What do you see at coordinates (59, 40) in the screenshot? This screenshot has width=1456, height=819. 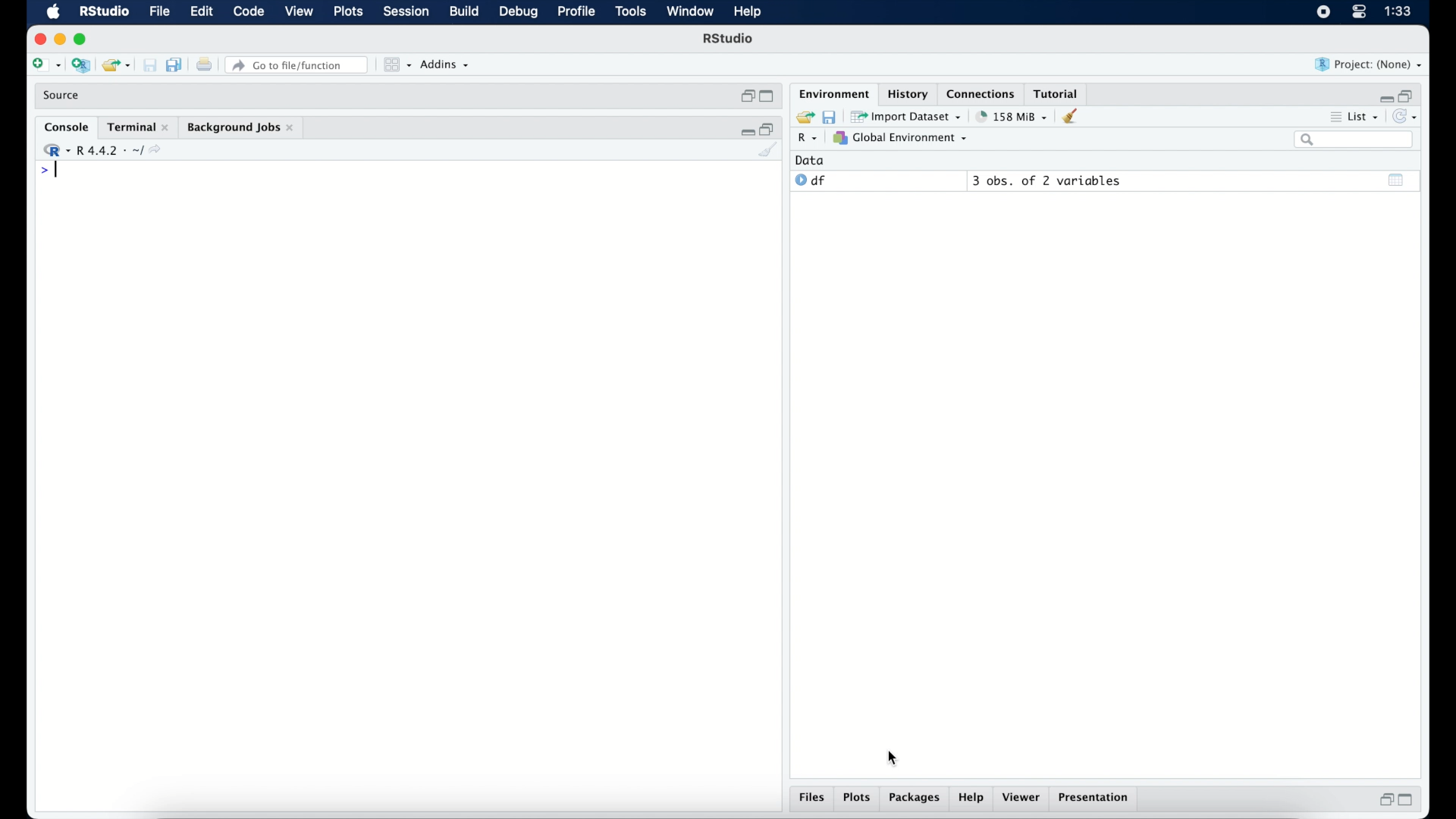 I see `minimize` at bounding box center [59, 40].